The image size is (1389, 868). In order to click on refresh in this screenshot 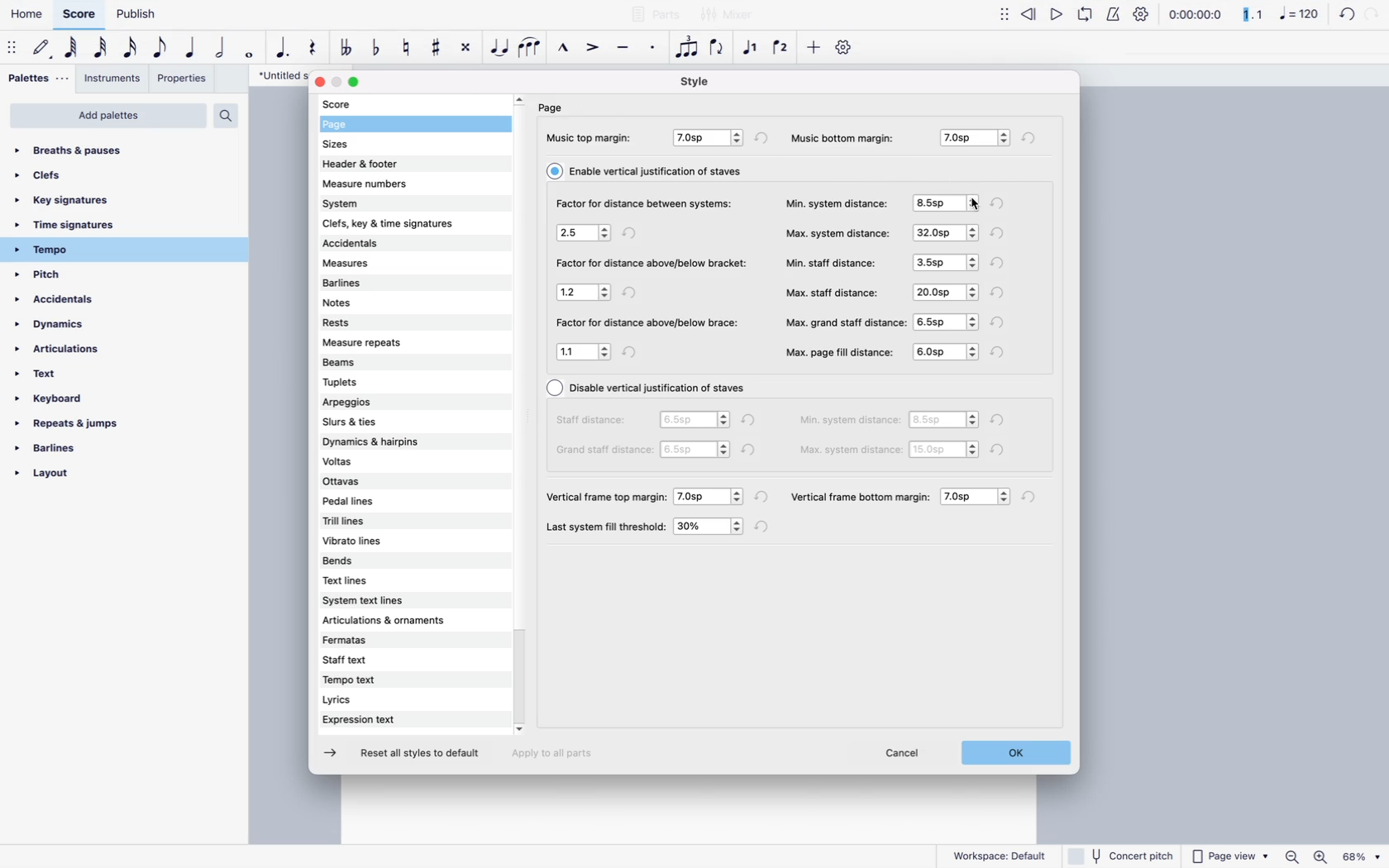, I will do `click(1030, 137)`.